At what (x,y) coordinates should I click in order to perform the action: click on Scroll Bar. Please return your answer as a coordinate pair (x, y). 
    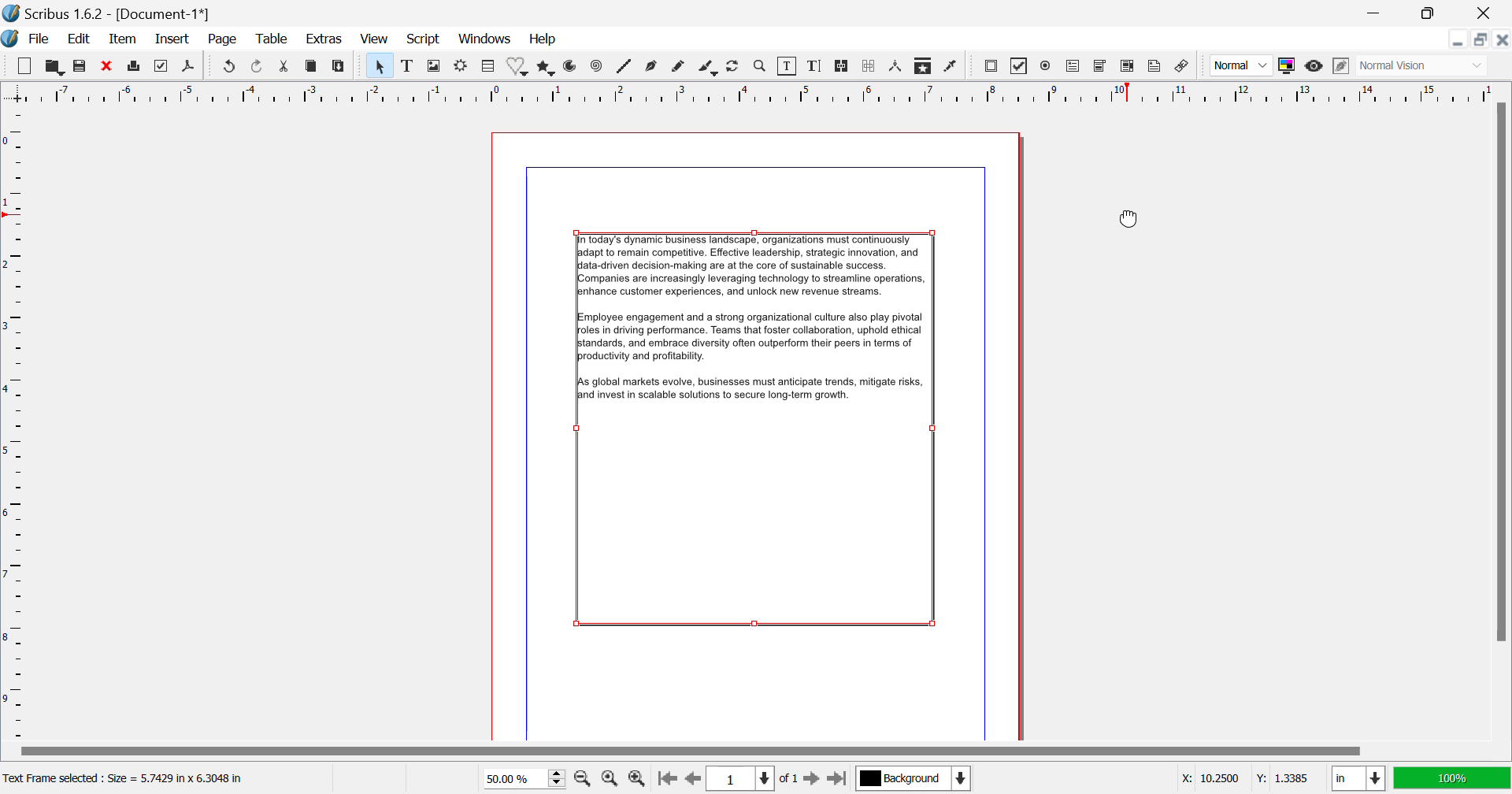
    Looking at the image, I should click on (1499, 418).